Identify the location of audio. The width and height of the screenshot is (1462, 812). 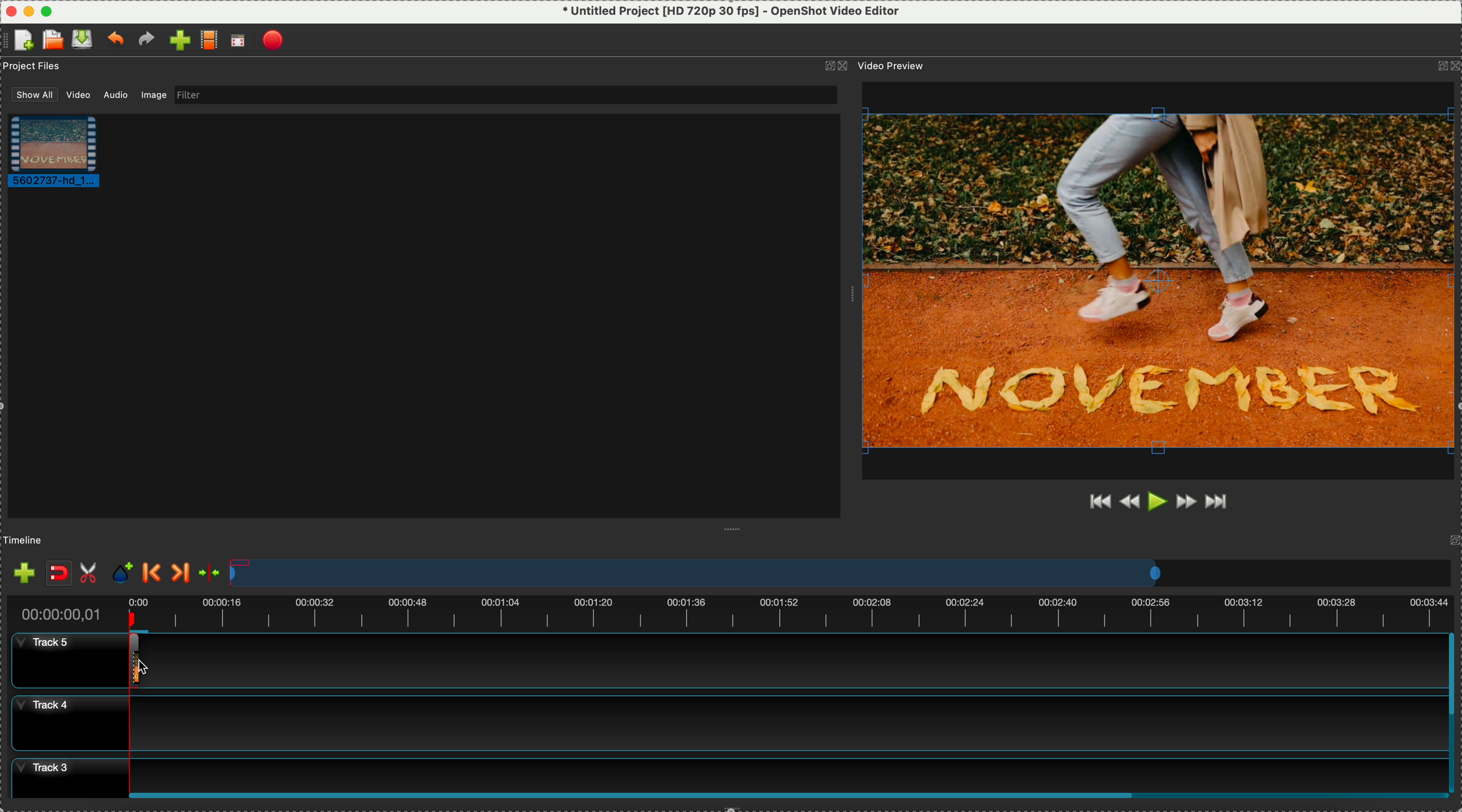
(113, 96).